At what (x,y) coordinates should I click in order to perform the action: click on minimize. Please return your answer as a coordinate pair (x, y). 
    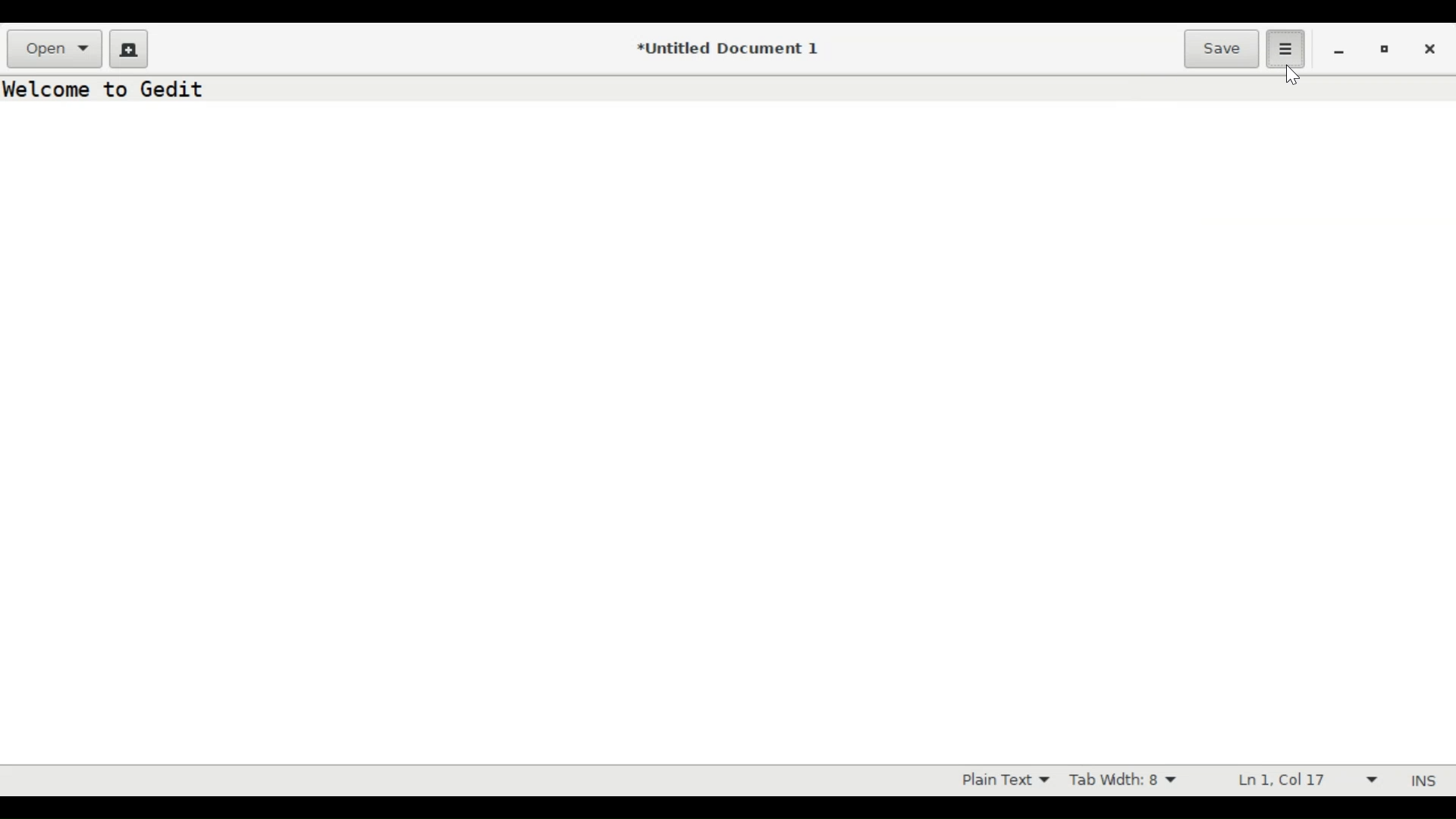
    Looking at the image, I should click on (1339, 49).